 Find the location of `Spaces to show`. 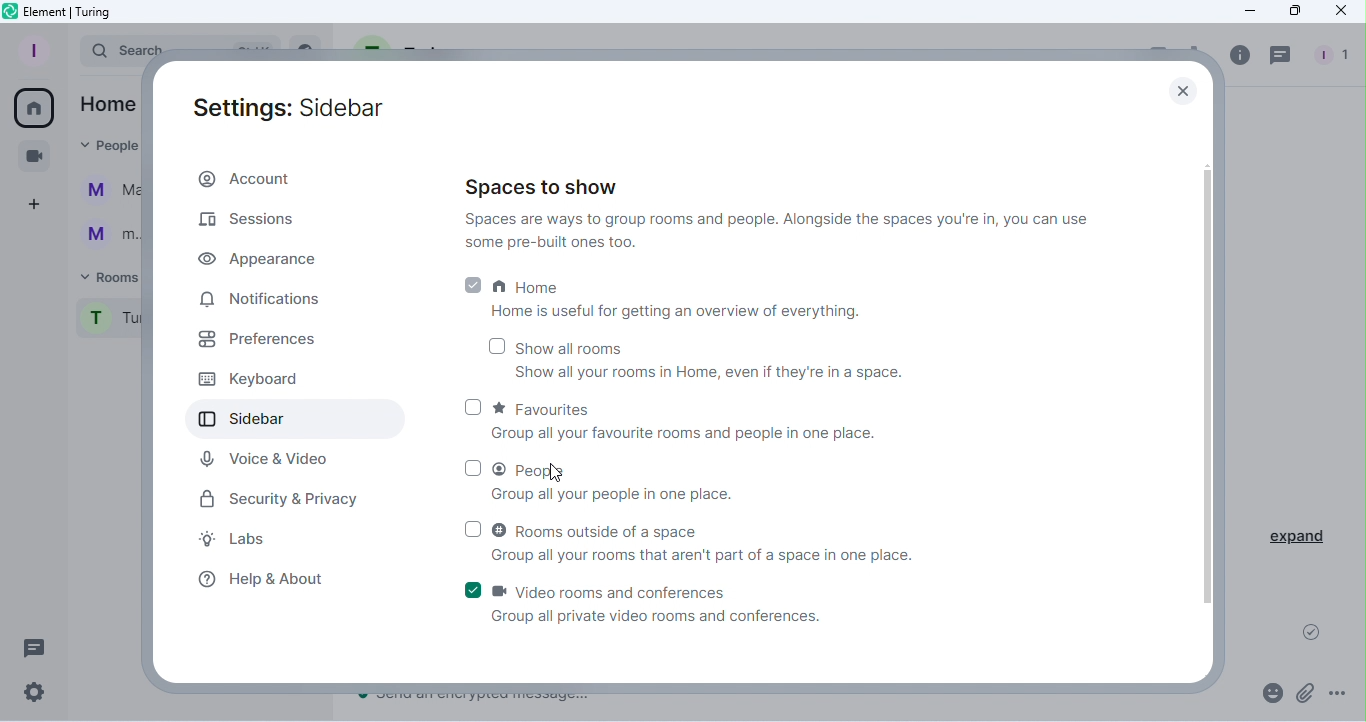

Spaces to show is located at coordinates (781, 214).